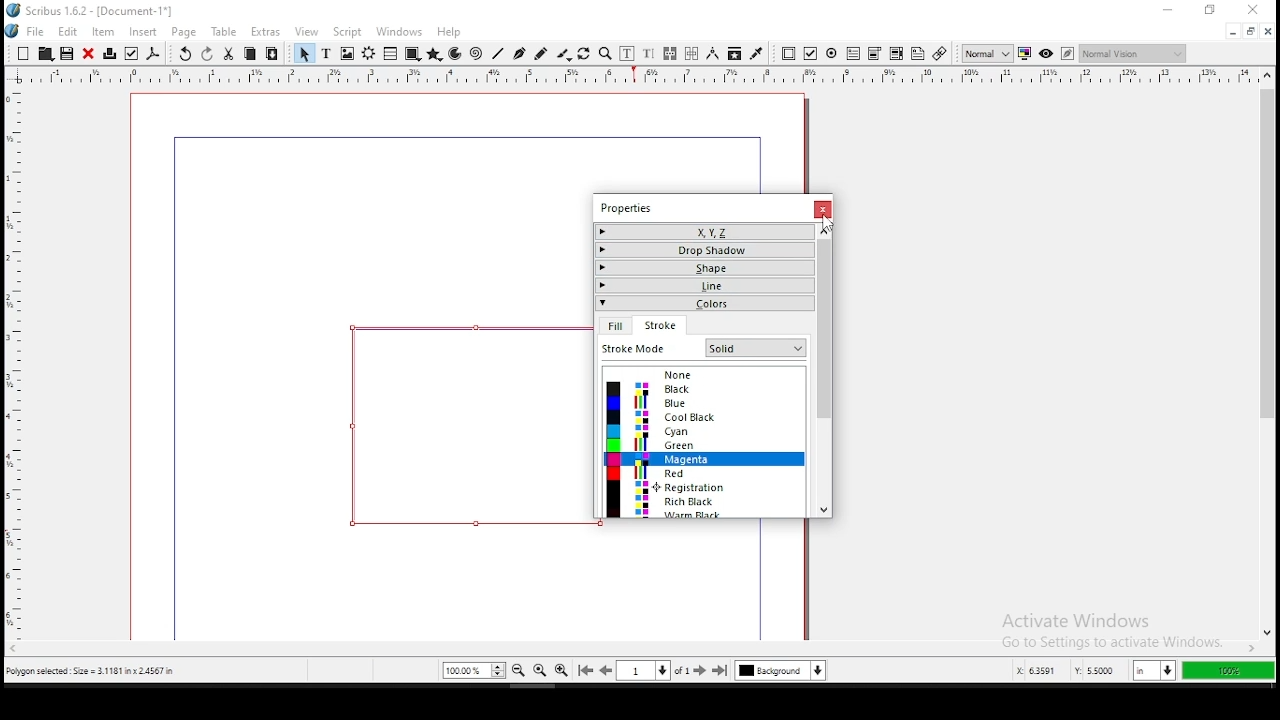 This screenshot has width=1280, height=720. Describe the element at coordinates (23, 52) in the screenshot. I see `new` at that location.